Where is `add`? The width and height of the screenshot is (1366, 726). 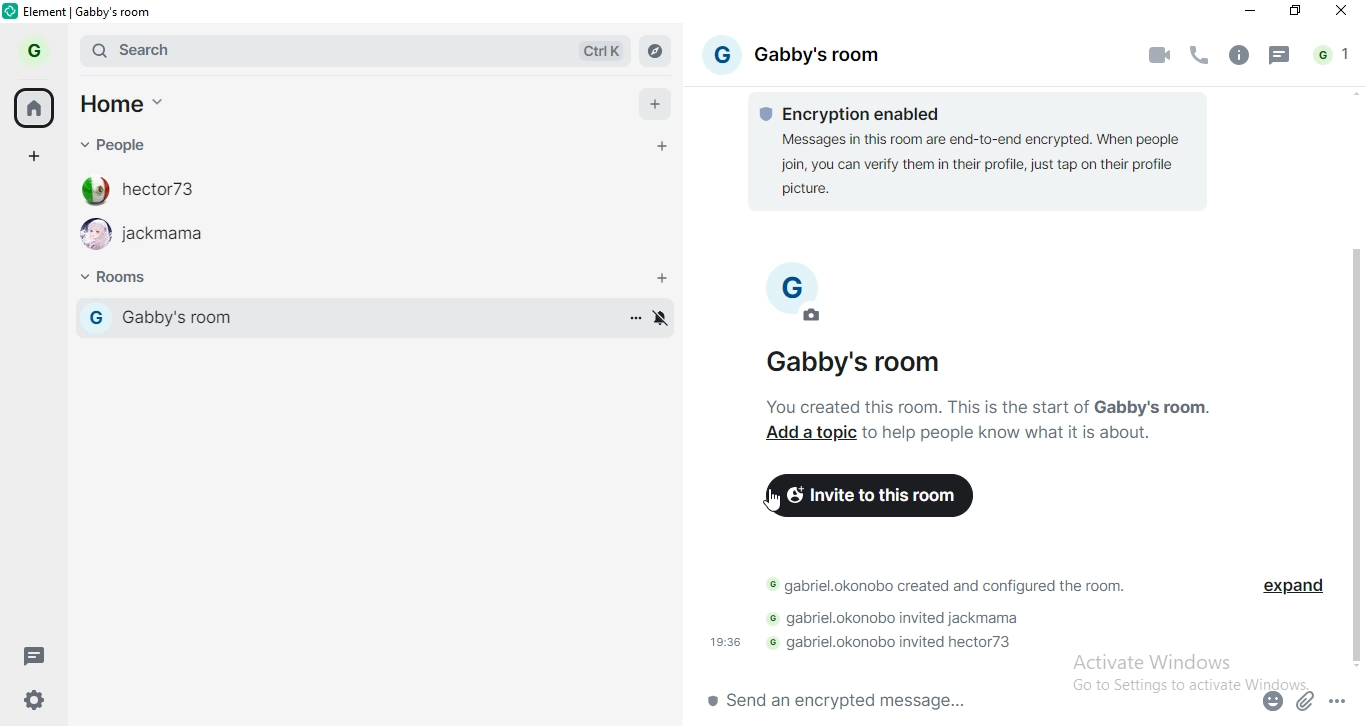
add is located at coordinates (654, 104).